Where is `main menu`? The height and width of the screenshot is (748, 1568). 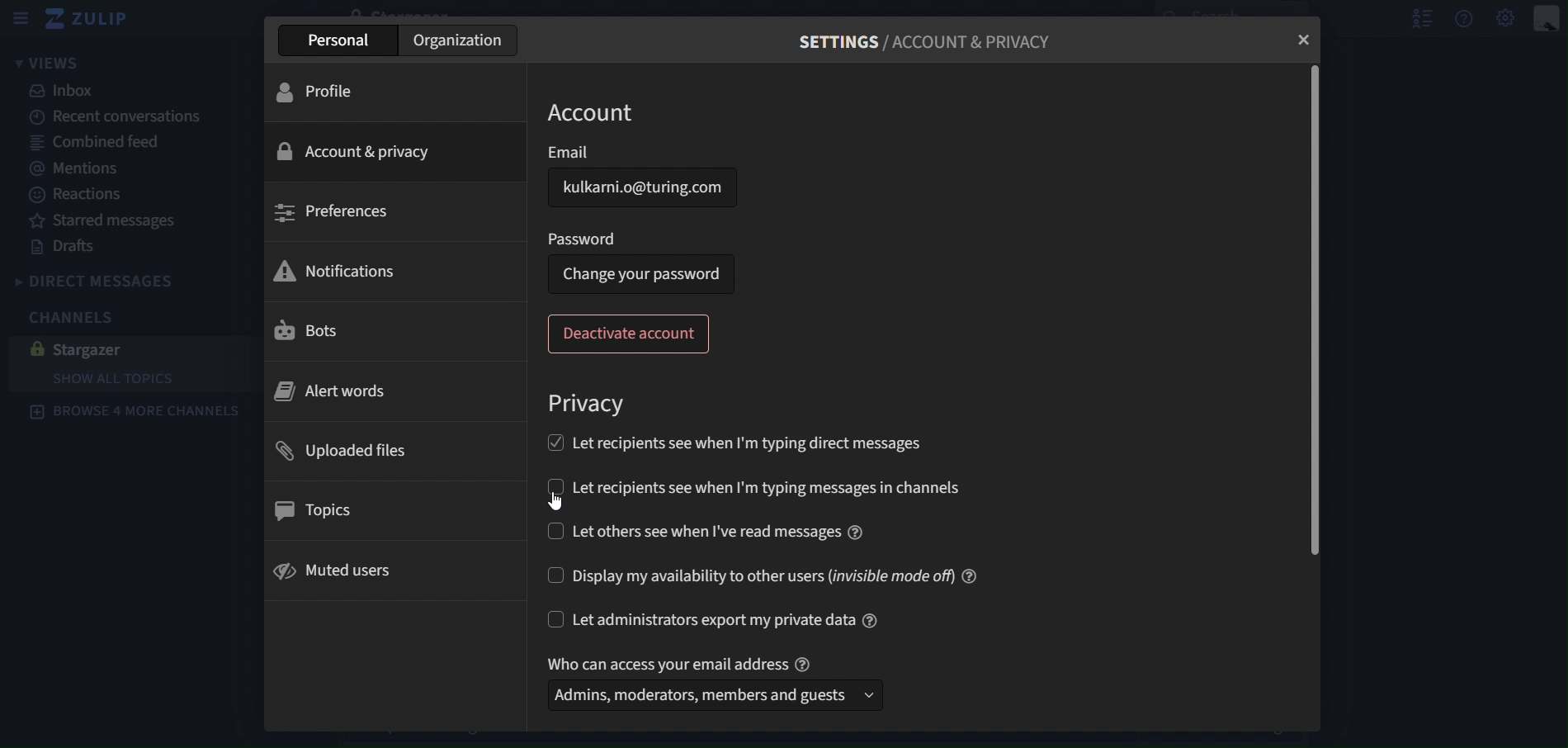 main menu is located at coordinates (1506, 17).